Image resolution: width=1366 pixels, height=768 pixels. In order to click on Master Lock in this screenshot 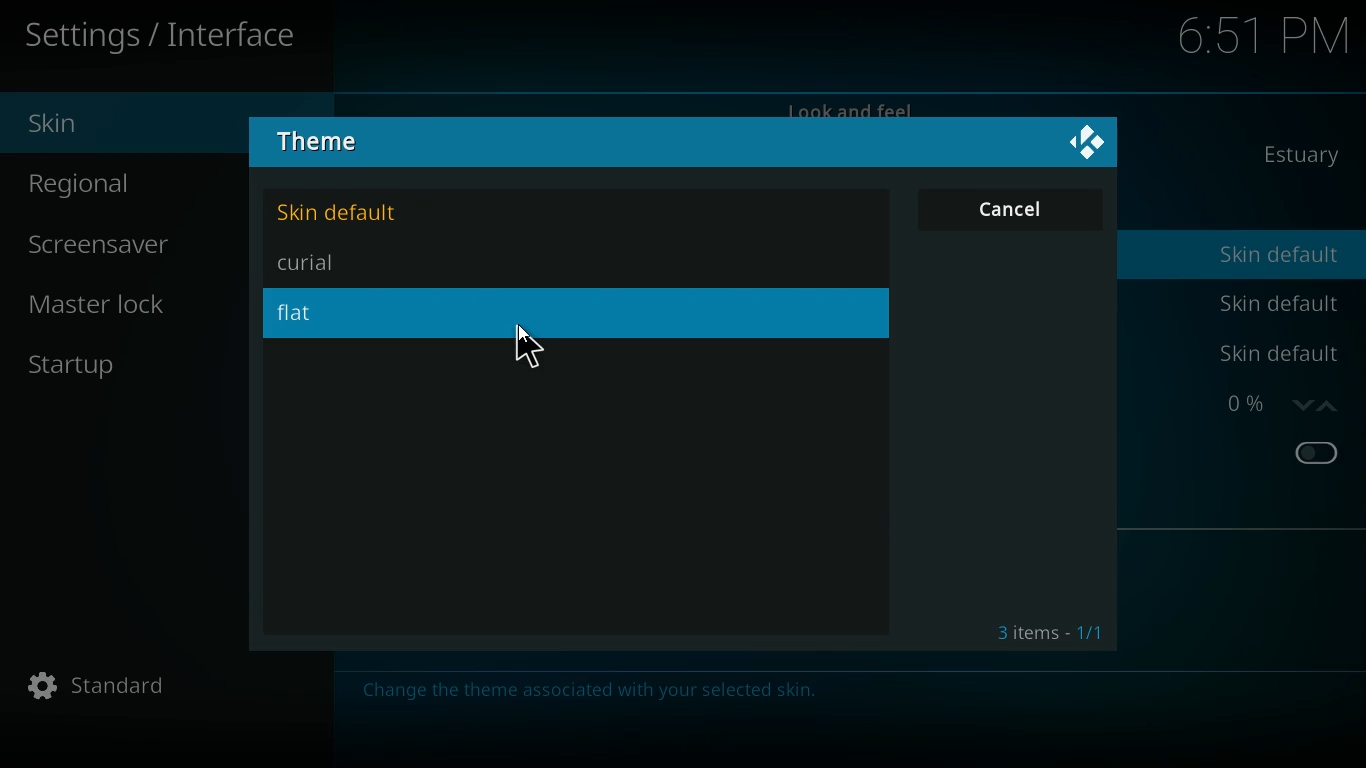, I will do `click(106, 301)`.